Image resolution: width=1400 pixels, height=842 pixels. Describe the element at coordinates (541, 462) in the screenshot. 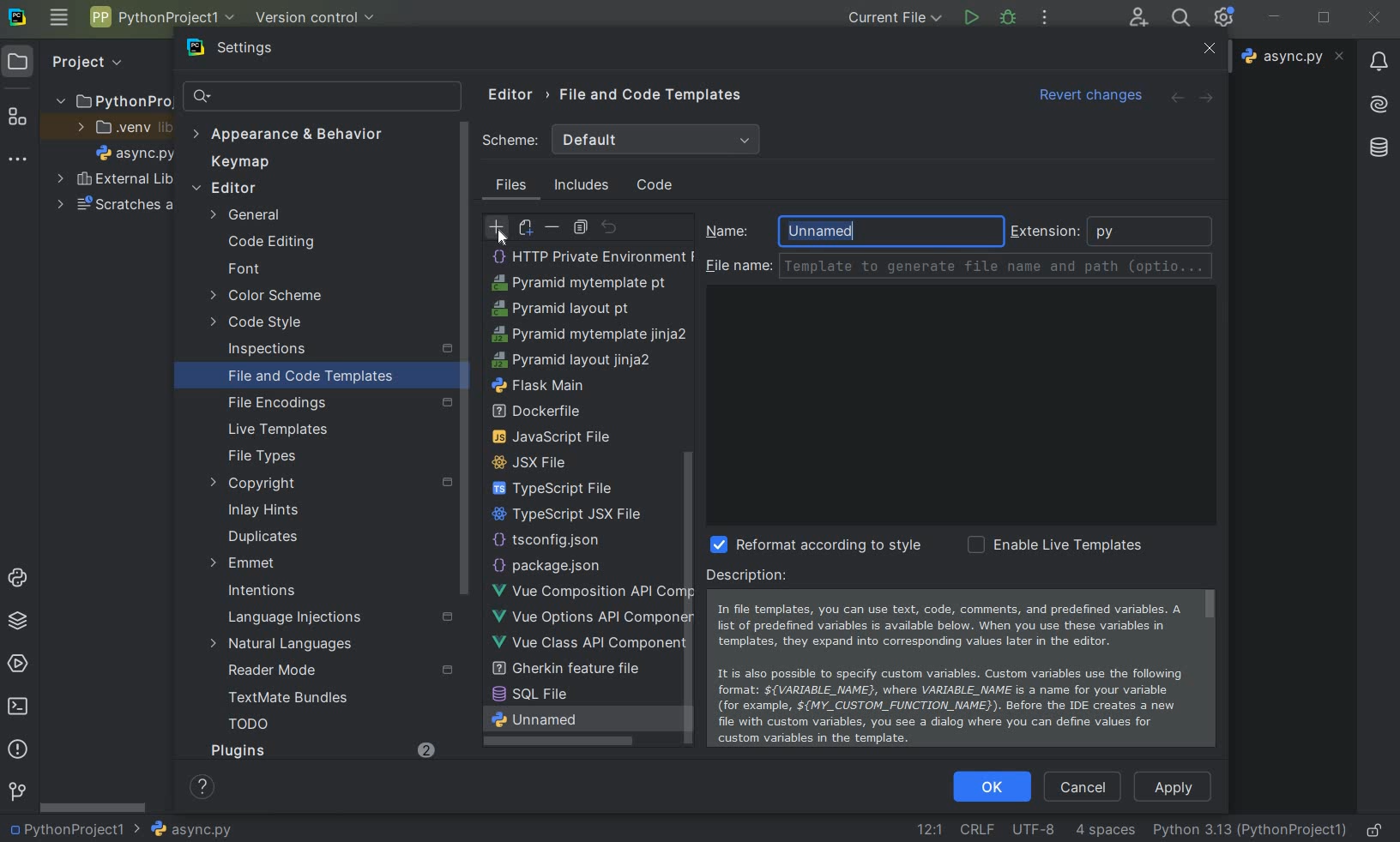

I see `sass file` at that location.